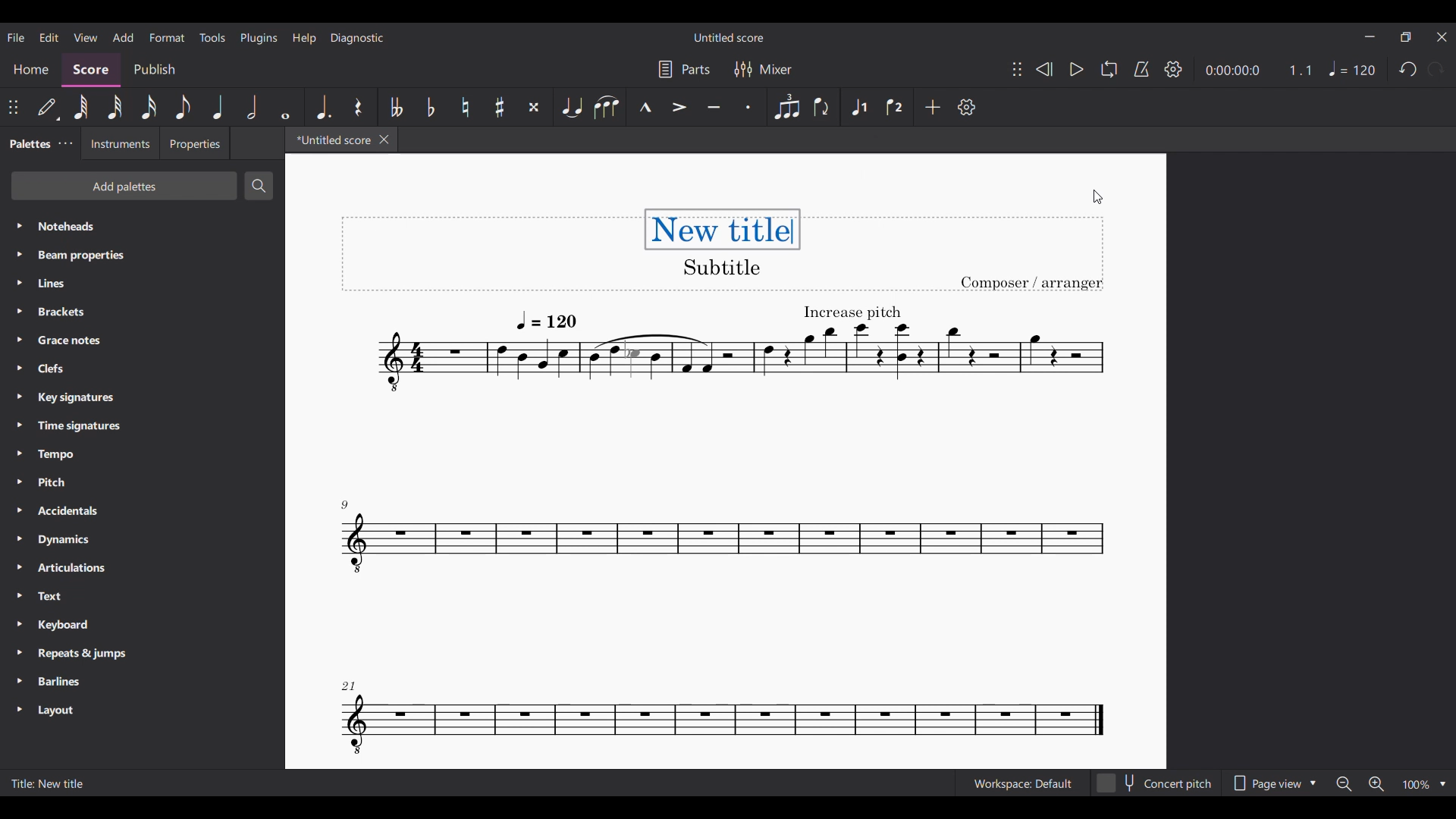  Describe the element at coordinates (142, 454) in the screenshot. I see `Tempo` at that location.